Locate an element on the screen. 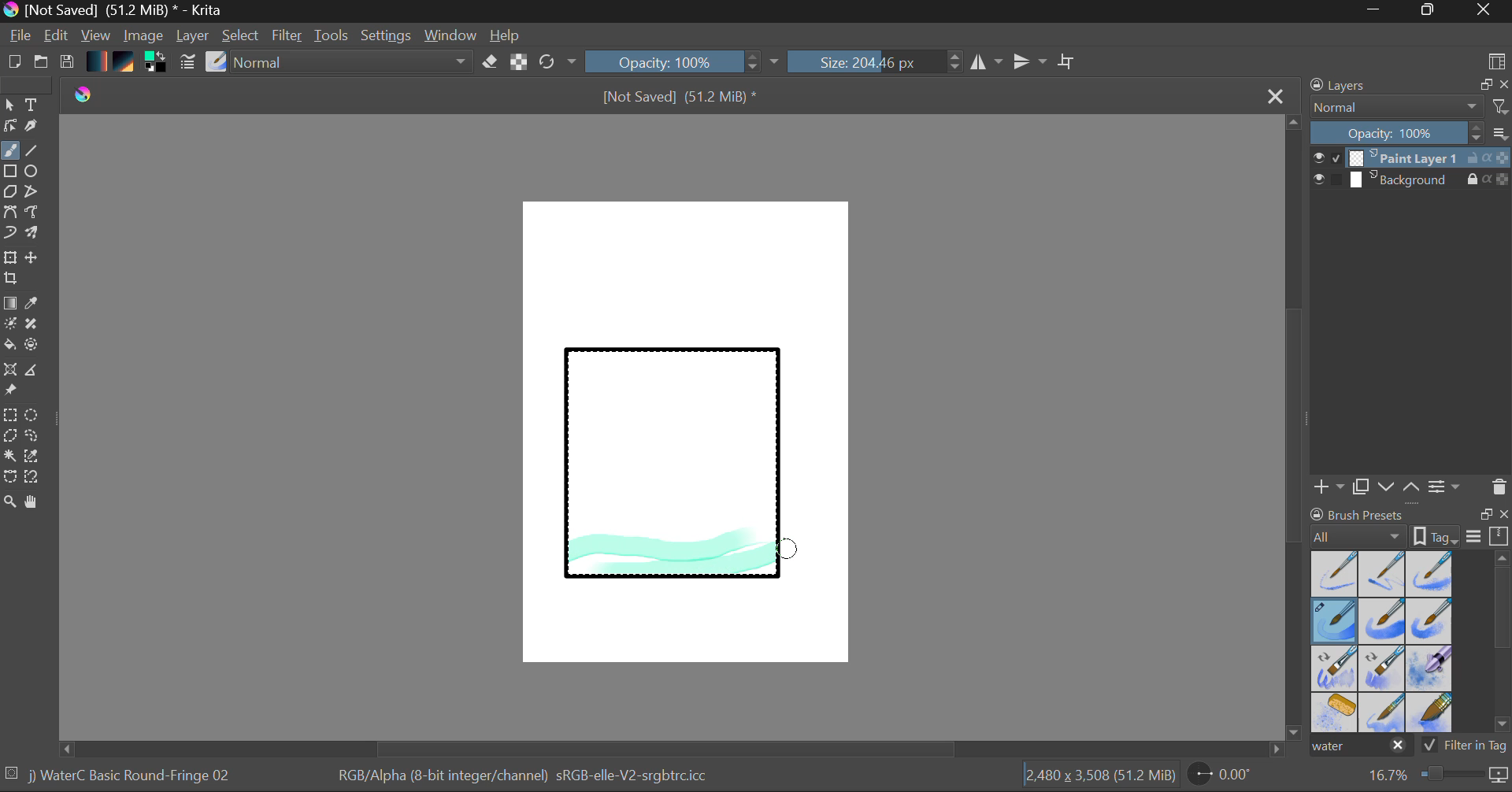 Image resolution: width=1512 pixels, height=792 pixels. Brush Selected is located at coordinates (132, 777).